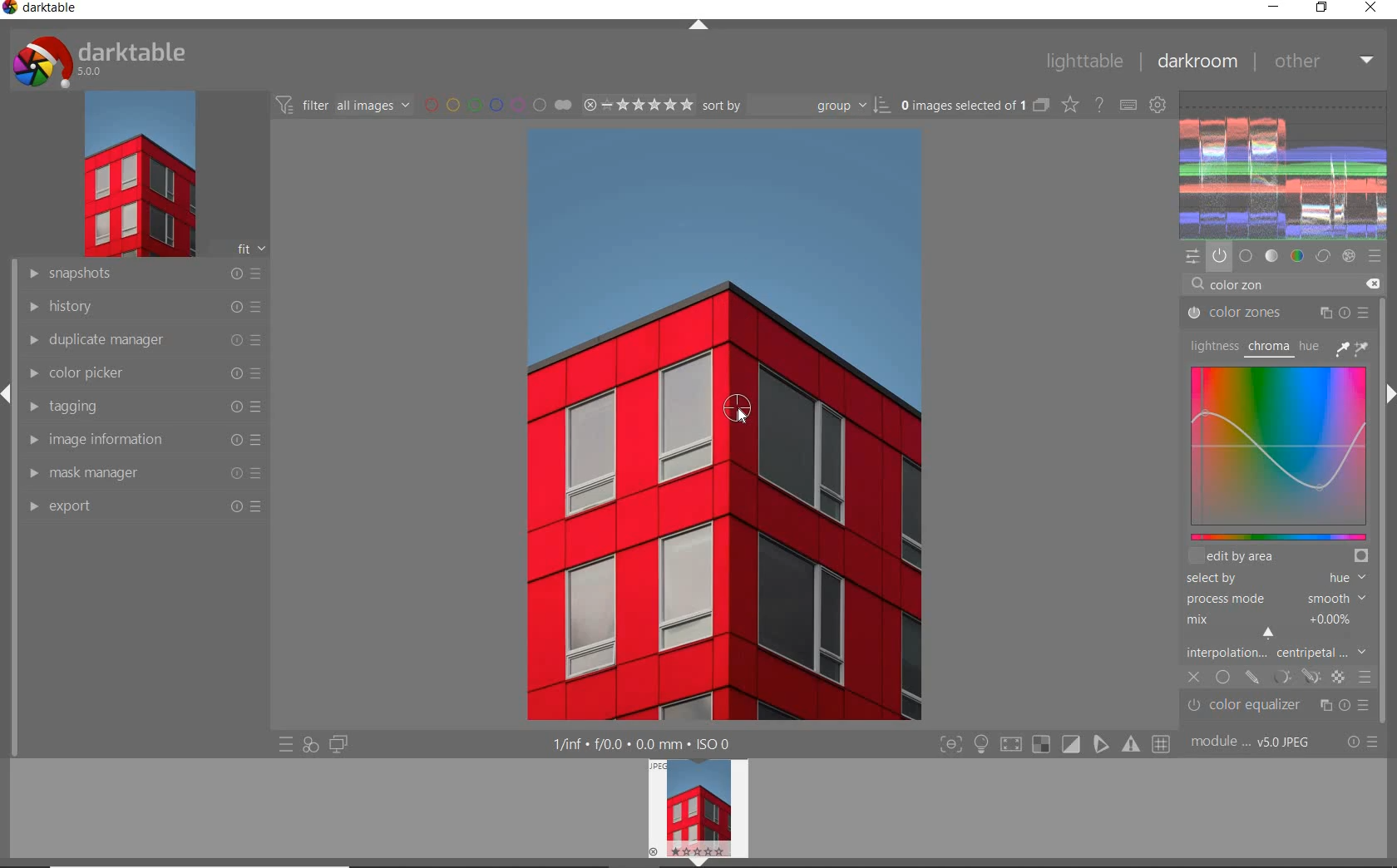 The height and width of the screenshot is (868, 1397). Describe the element at coordinates (1276, 709) in the screenshot. I see `color equalizer` at that location.